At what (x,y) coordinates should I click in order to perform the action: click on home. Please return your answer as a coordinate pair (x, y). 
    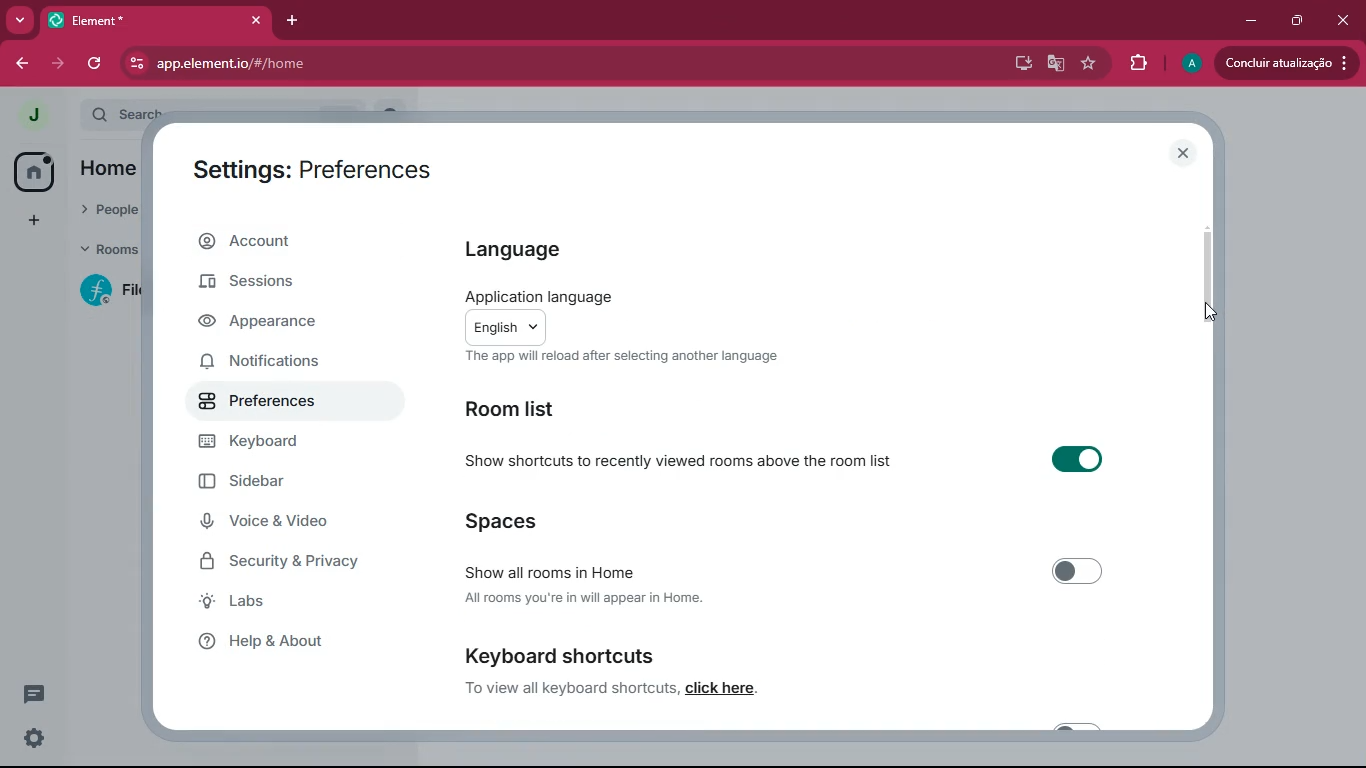
    Looking at the image, I should click on (33, 172).